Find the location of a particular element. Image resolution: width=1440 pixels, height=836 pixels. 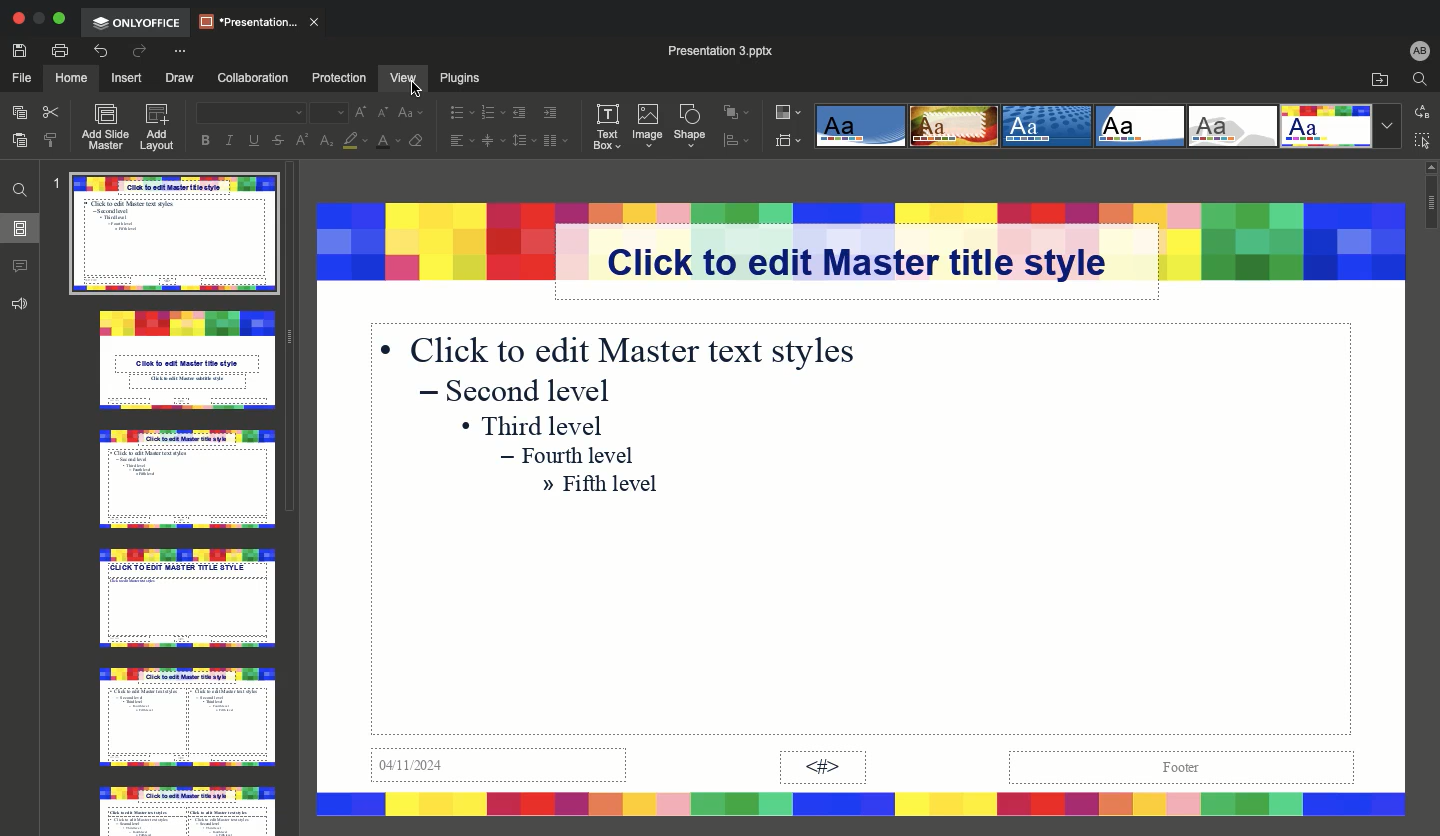

Comments is located at coordinates (23, 267).